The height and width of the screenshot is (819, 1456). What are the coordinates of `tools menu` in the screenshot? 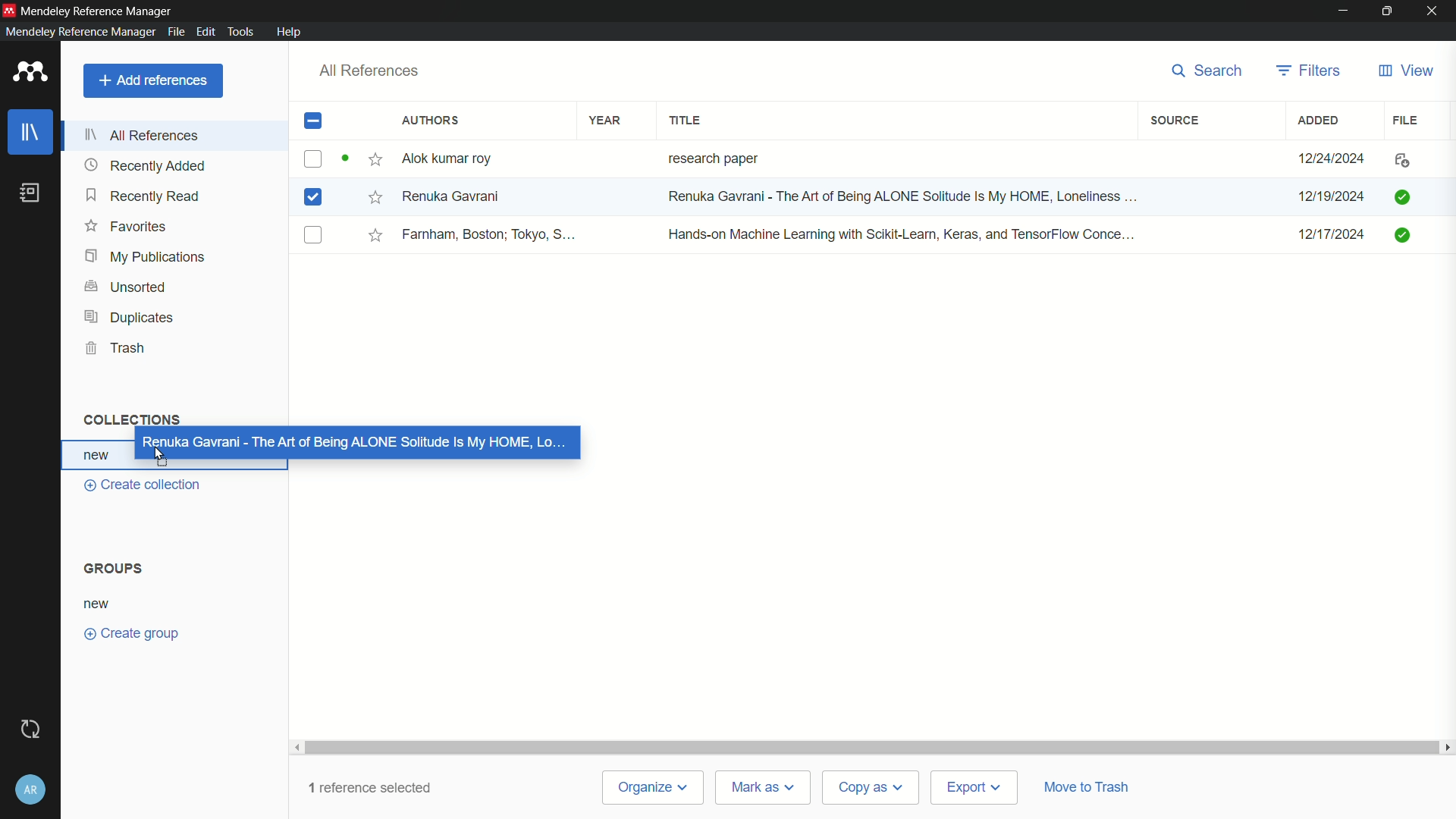 It's located at (240, 32).